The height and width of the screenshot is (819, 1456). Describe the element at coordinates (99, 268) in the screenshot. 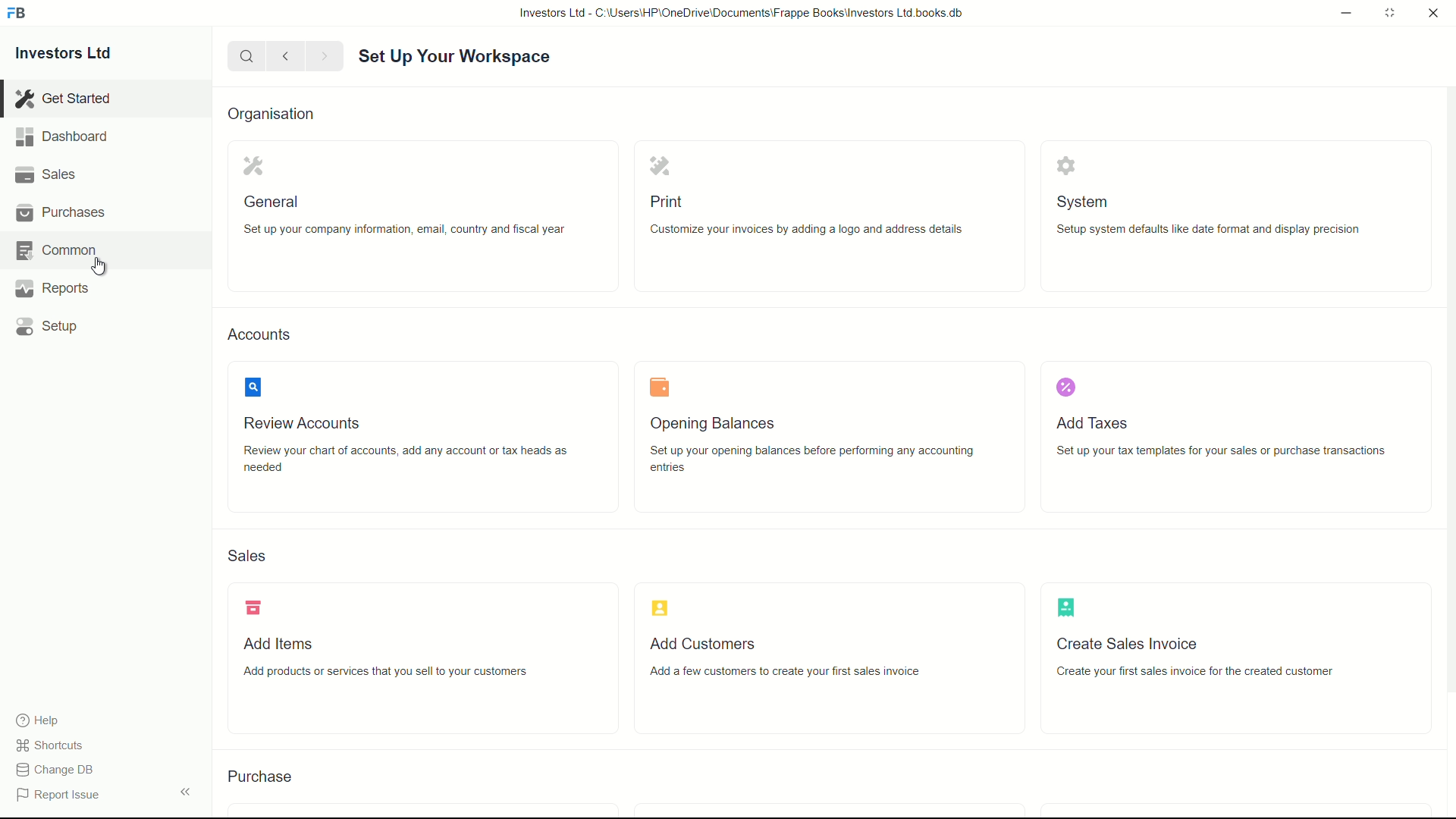

I see `cursor` at that location.